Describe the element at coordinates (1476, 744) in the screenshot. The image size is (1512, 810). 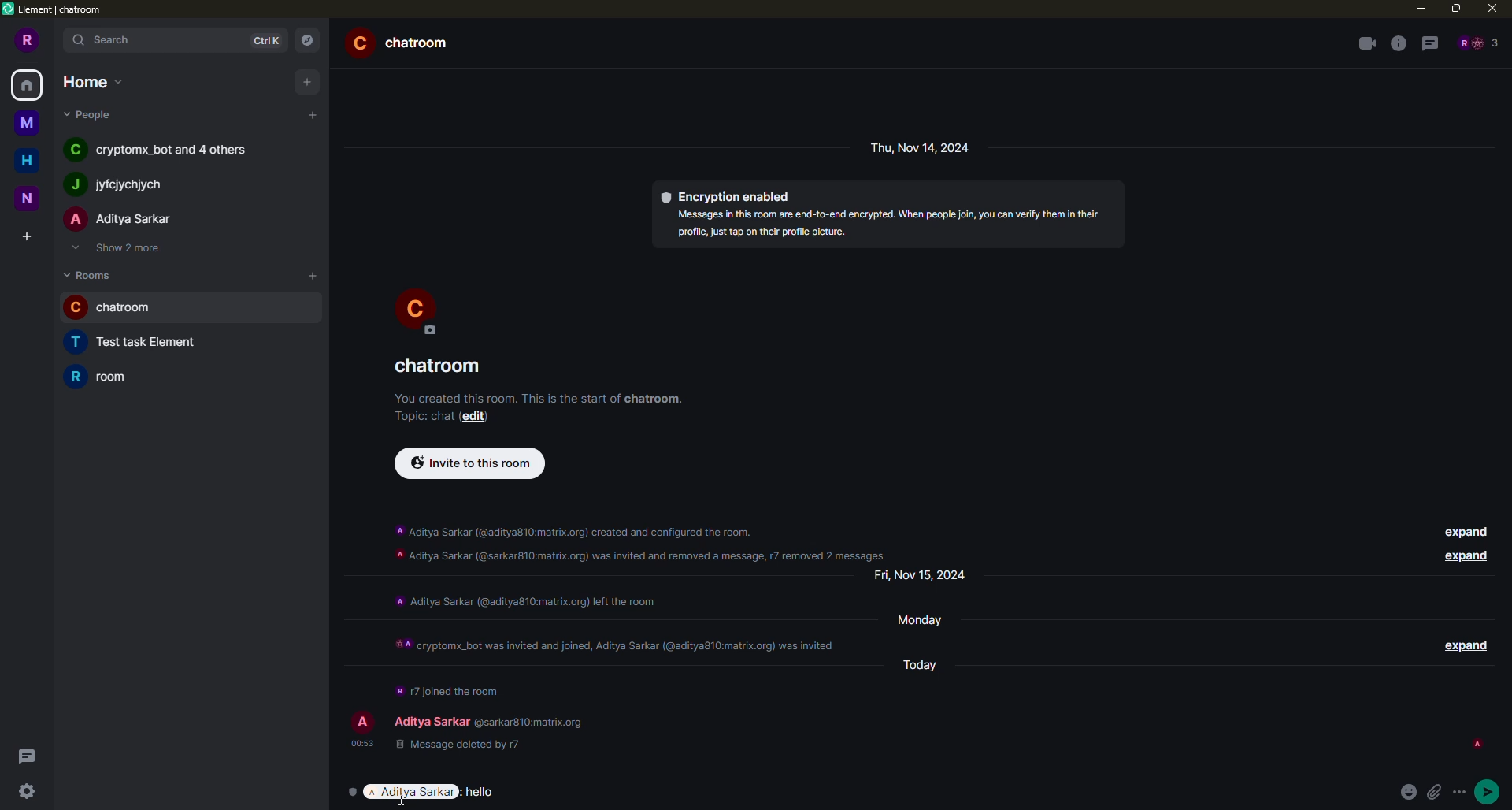
I see `seen` at that location.